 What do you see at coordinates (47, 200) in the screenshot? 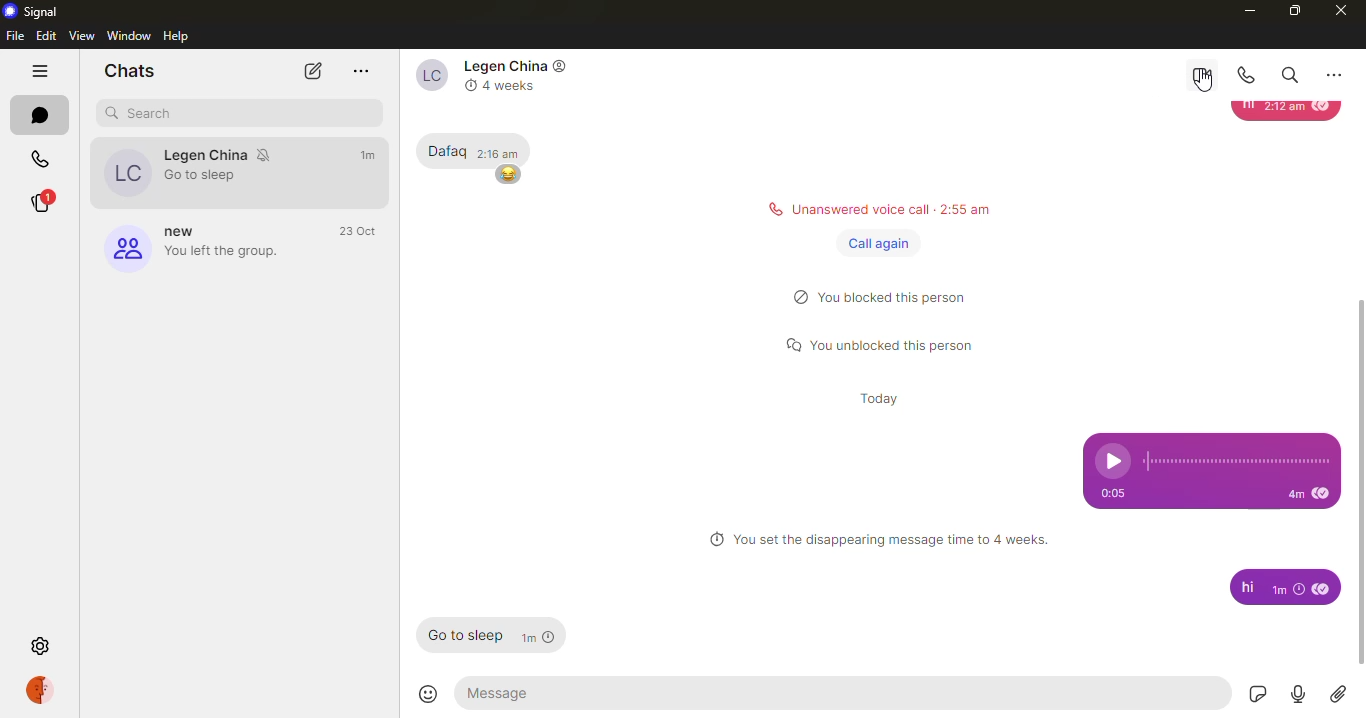
I see `stories` at bounding box center [47, 200].